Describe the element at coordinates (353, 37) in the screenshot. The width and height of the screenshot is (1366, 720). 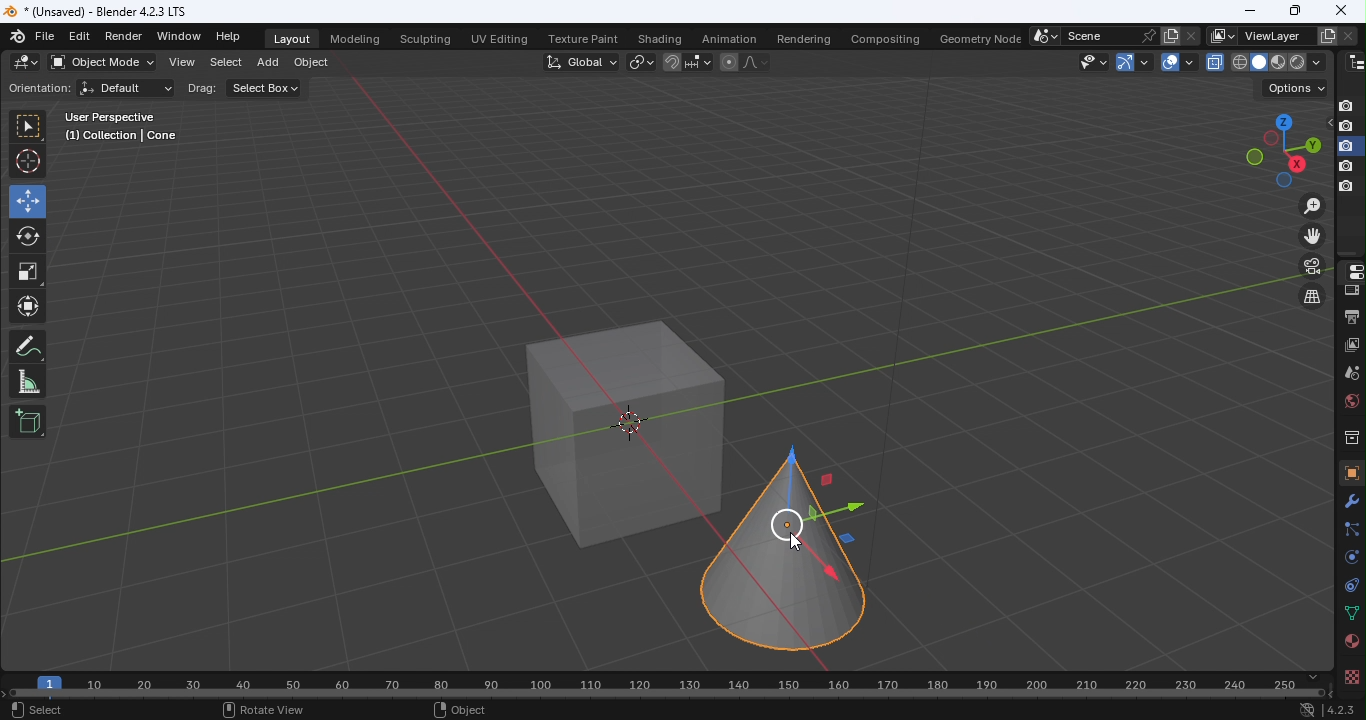
I see `Modeling` at that location.